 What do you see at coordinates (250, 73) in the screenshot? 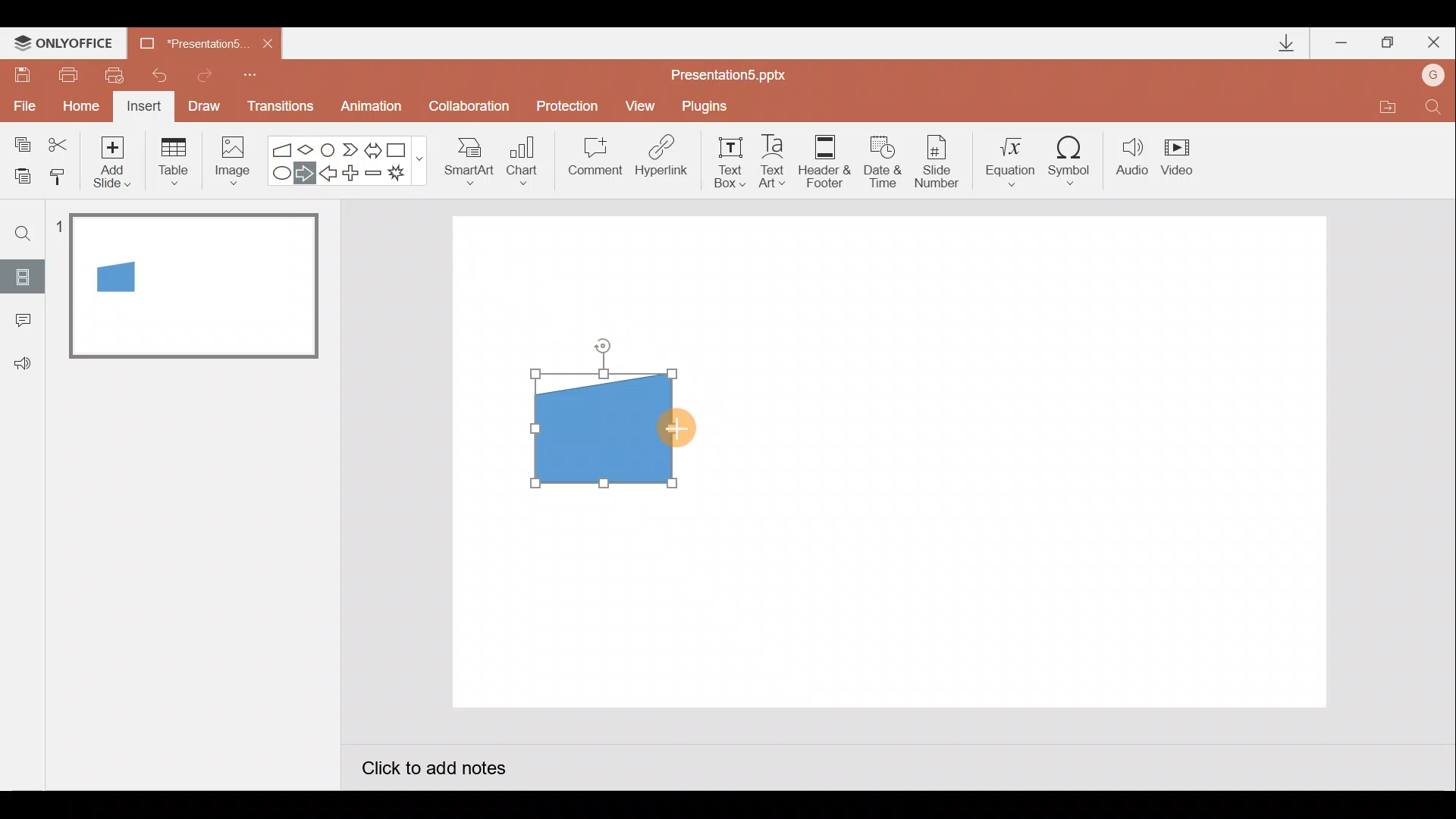
I see `Customize quick access toolbar` at bounding box center [250, 73].